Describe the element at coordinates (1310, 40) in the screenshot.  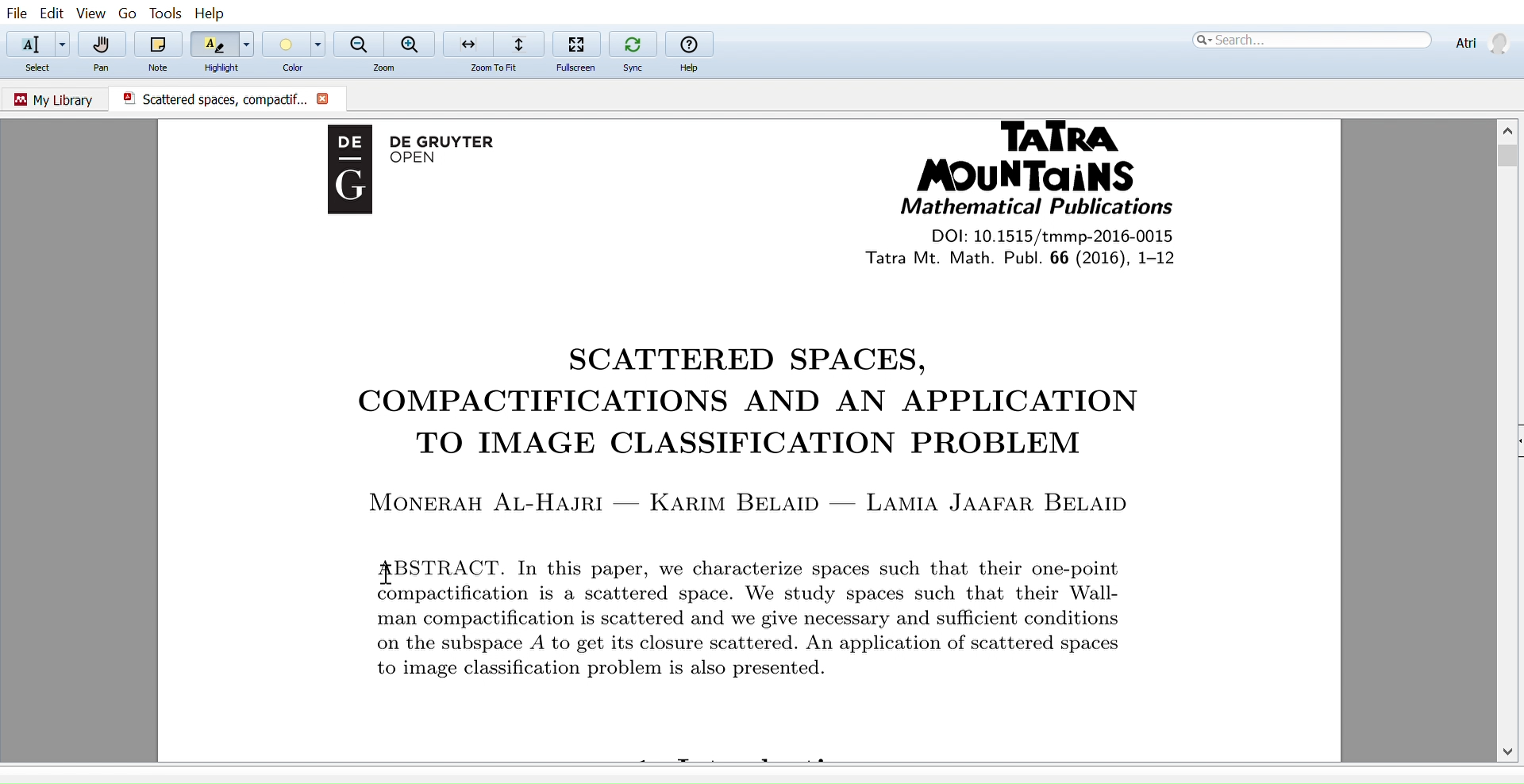
I see `Search` at that location.